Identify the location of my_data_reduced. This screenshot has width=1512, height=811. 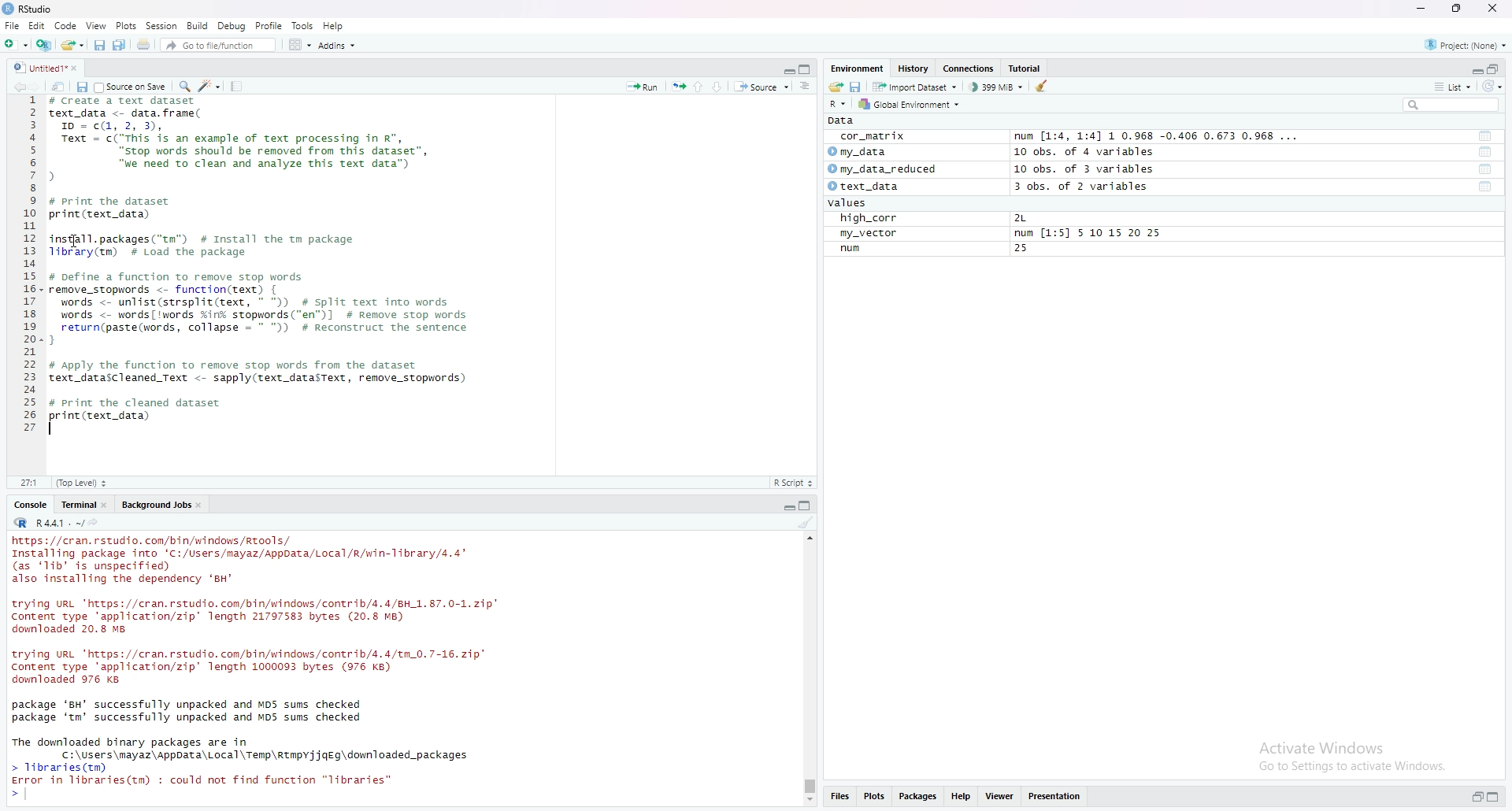
(882, 168).